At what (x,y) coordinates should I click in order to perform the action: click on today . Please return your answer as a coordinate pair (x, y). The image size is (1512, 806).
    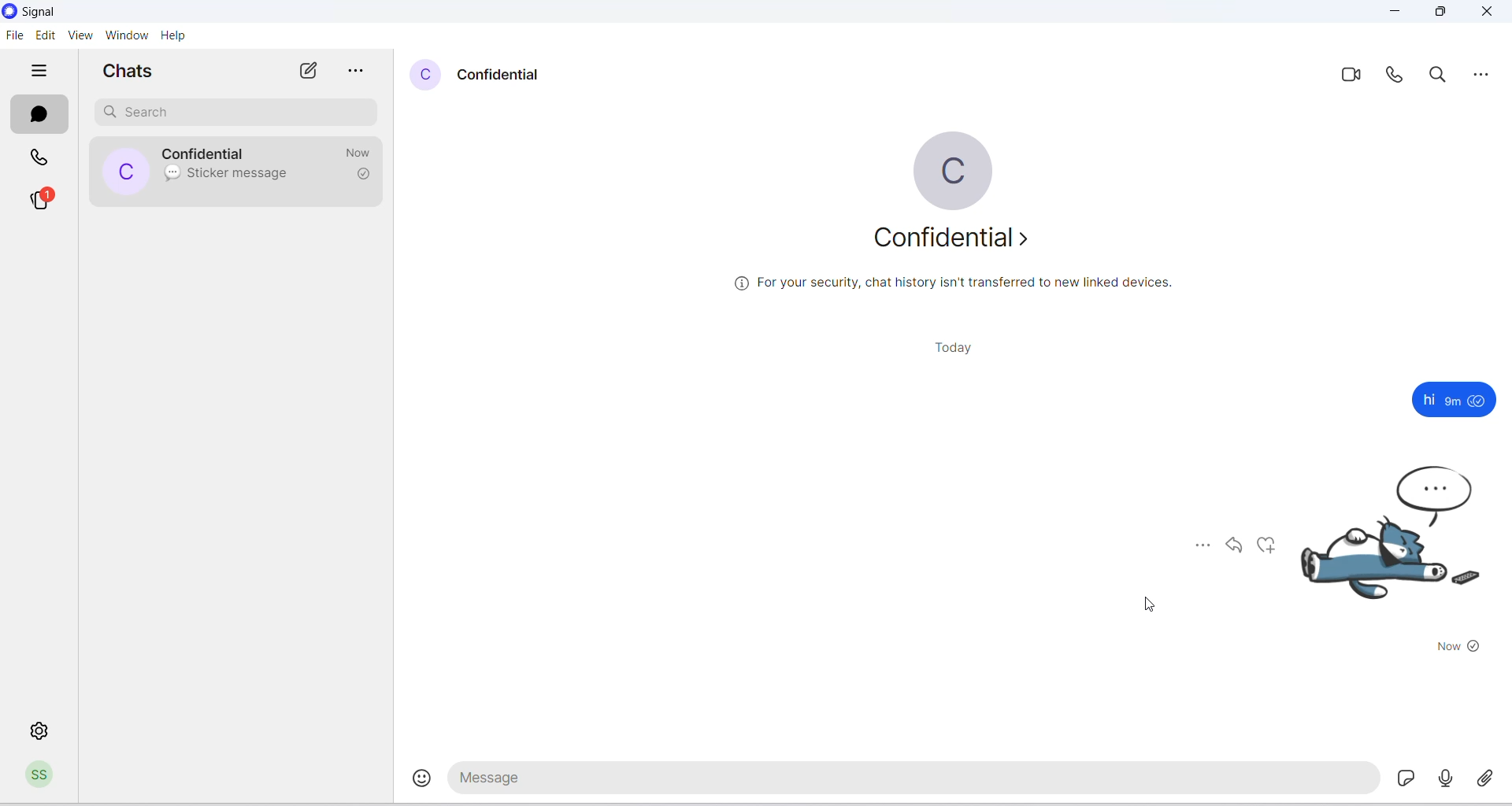
    Looking at the image, I should click on (941, 349).